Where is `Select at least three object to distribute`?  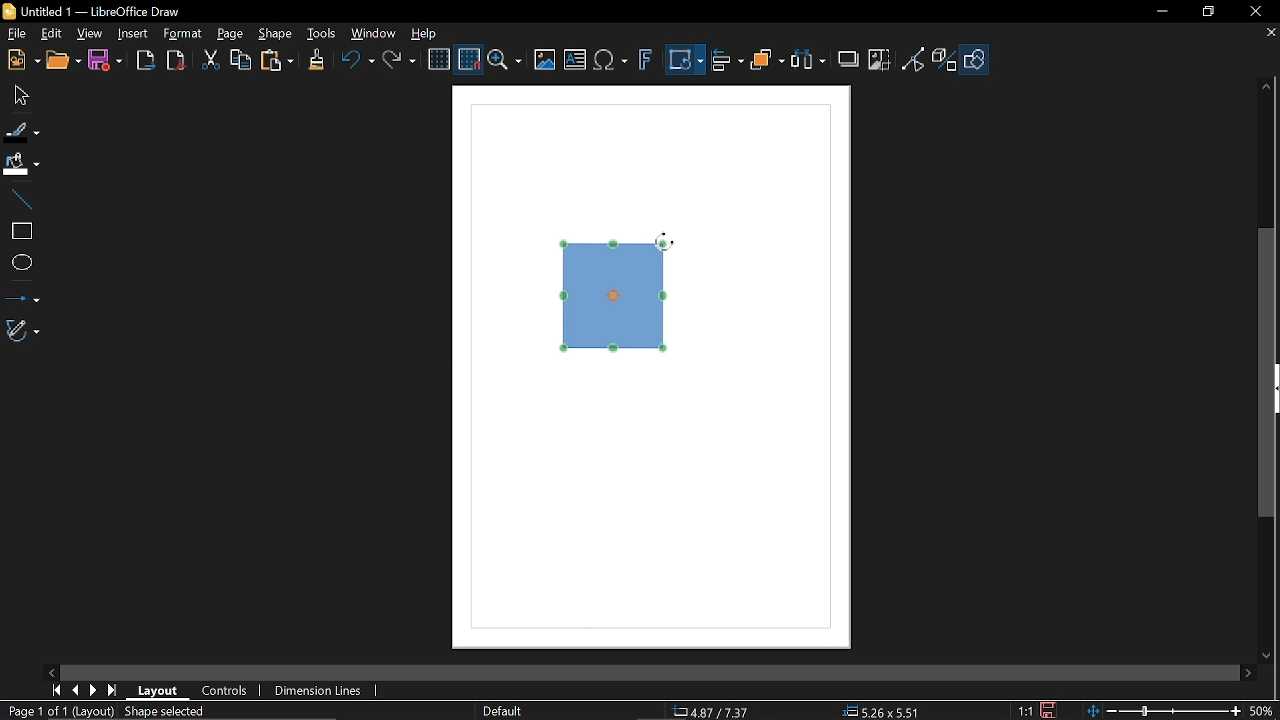
Select at least three object to distribute is located at coordinates (809, 62).